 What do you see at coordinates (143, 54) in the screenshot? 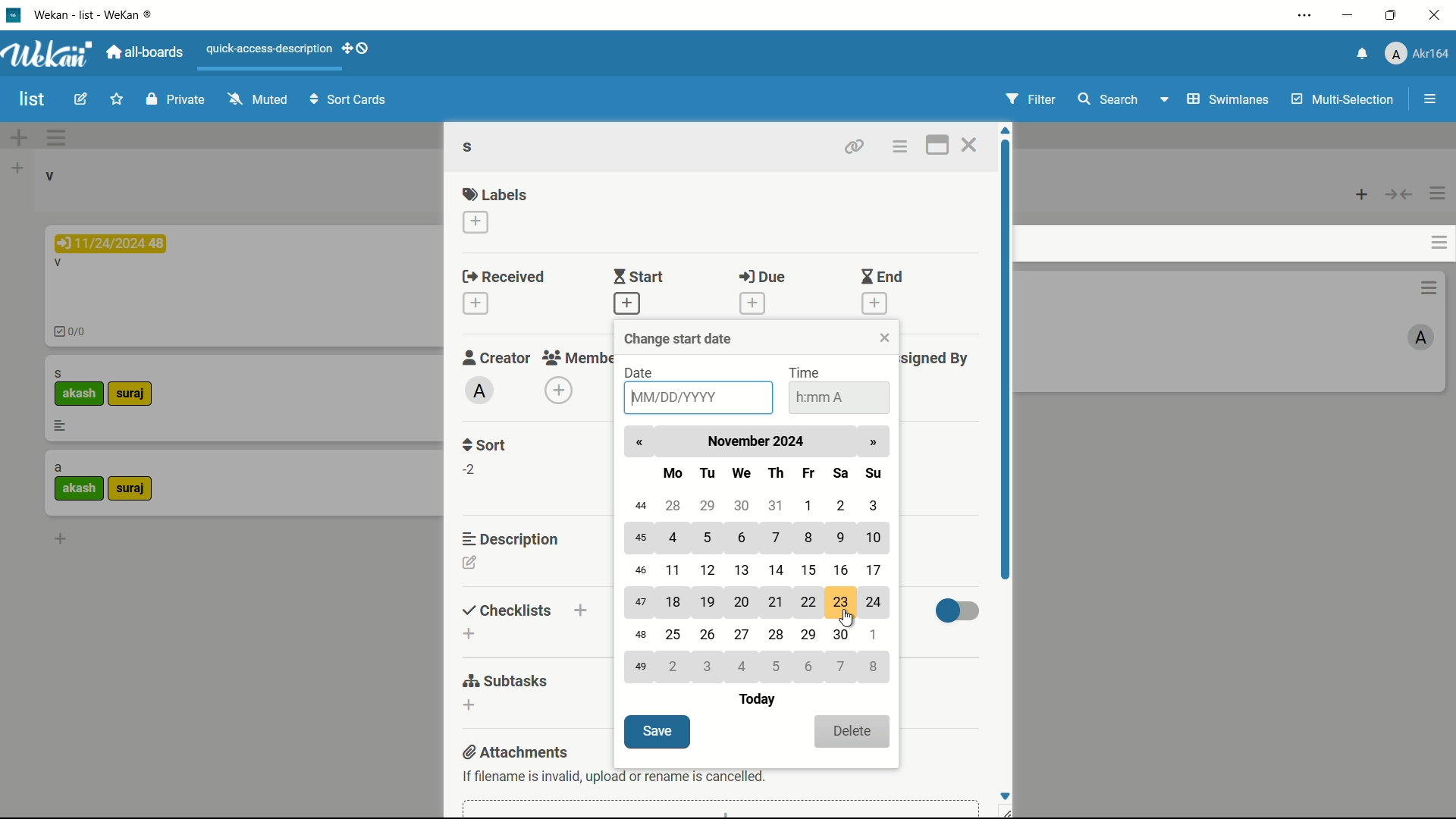
I see `all boards` at bounding box center [143, 54].